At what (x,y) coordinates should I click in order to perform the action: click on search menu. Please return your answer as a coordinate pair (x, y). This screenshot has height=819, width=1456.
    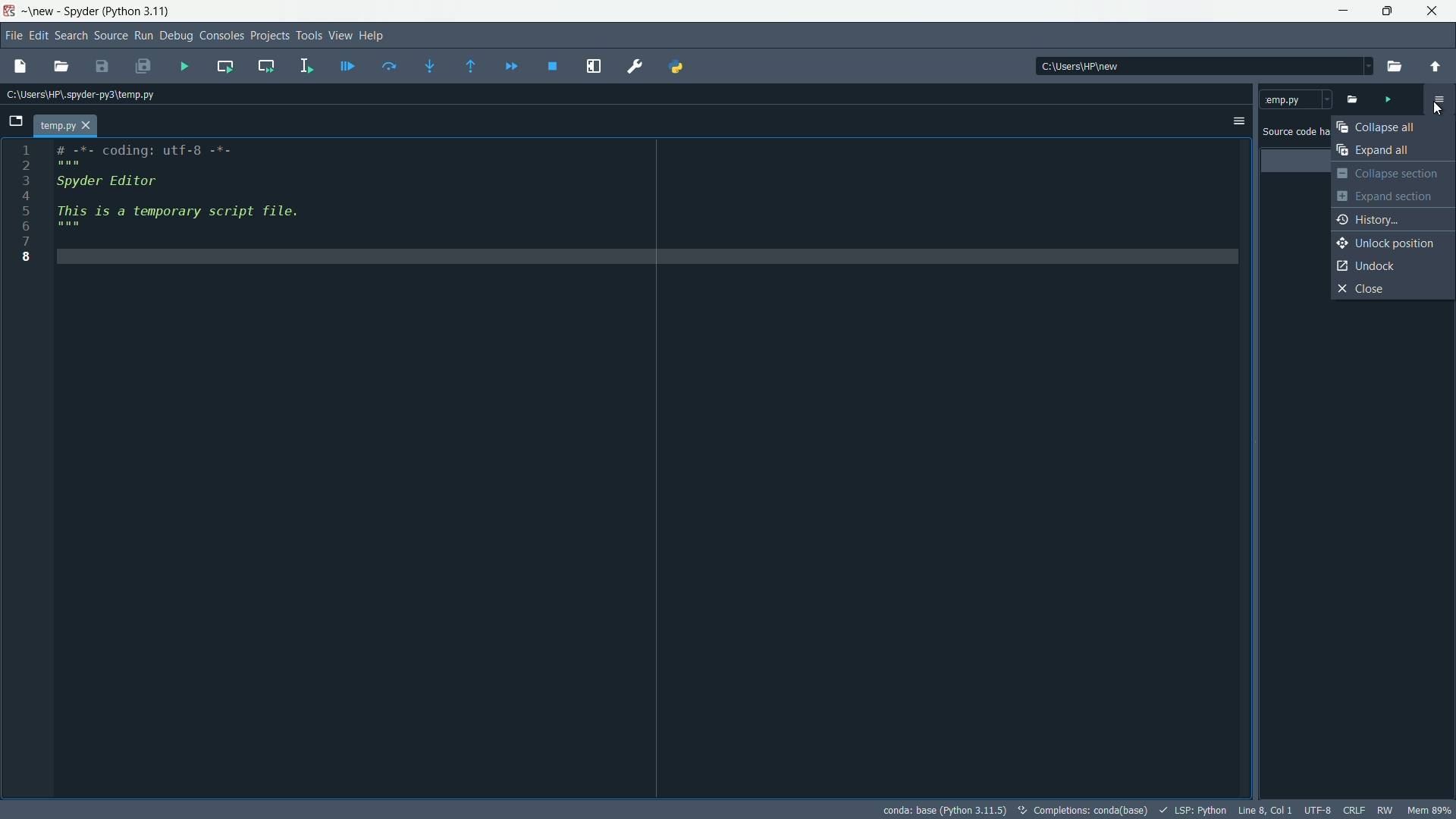
    Looking at the image, I should click on (71, 36).